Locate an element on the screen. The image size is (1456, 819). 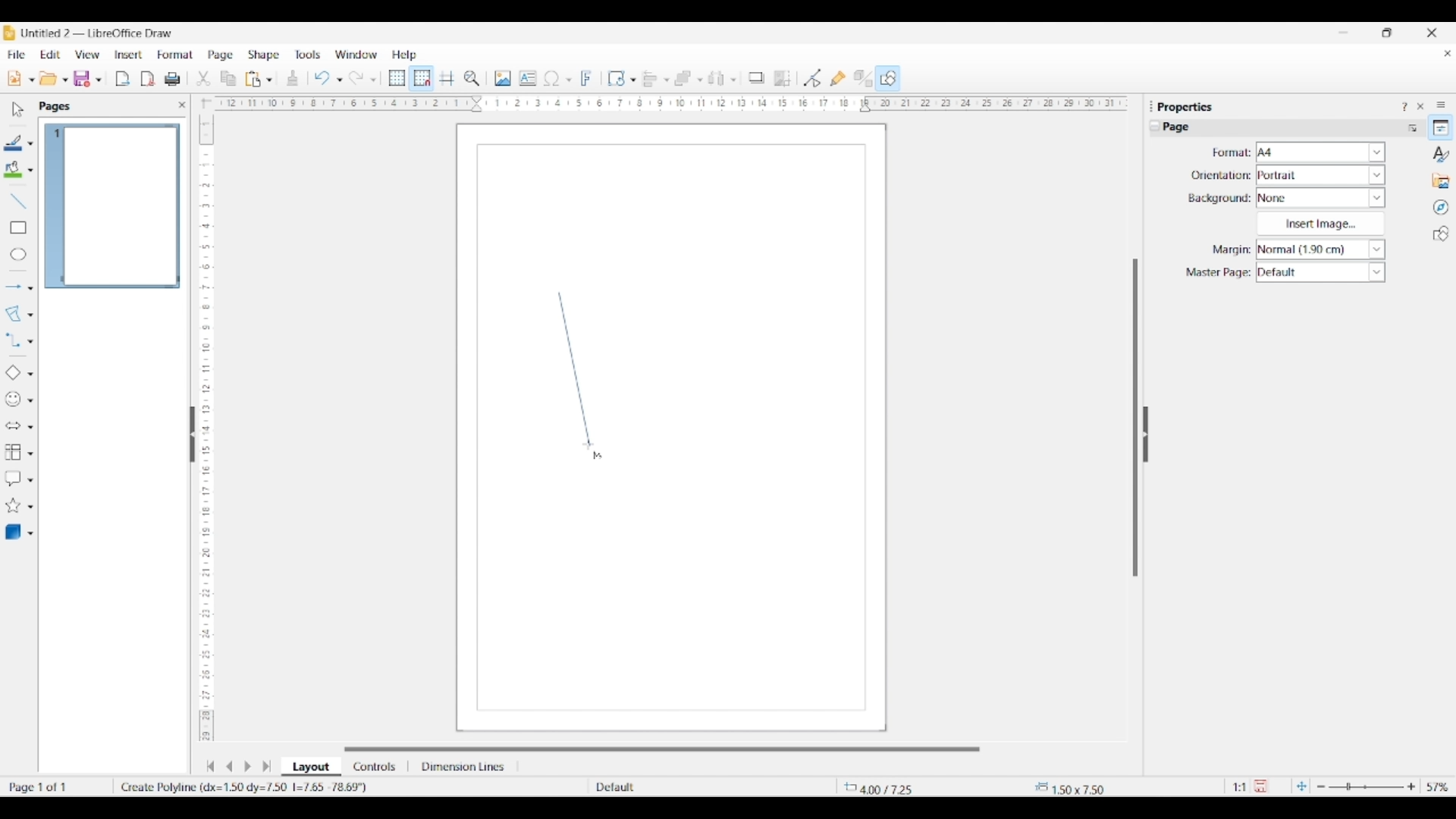
Horizontal slide bar is located at coordinates (662, 749).